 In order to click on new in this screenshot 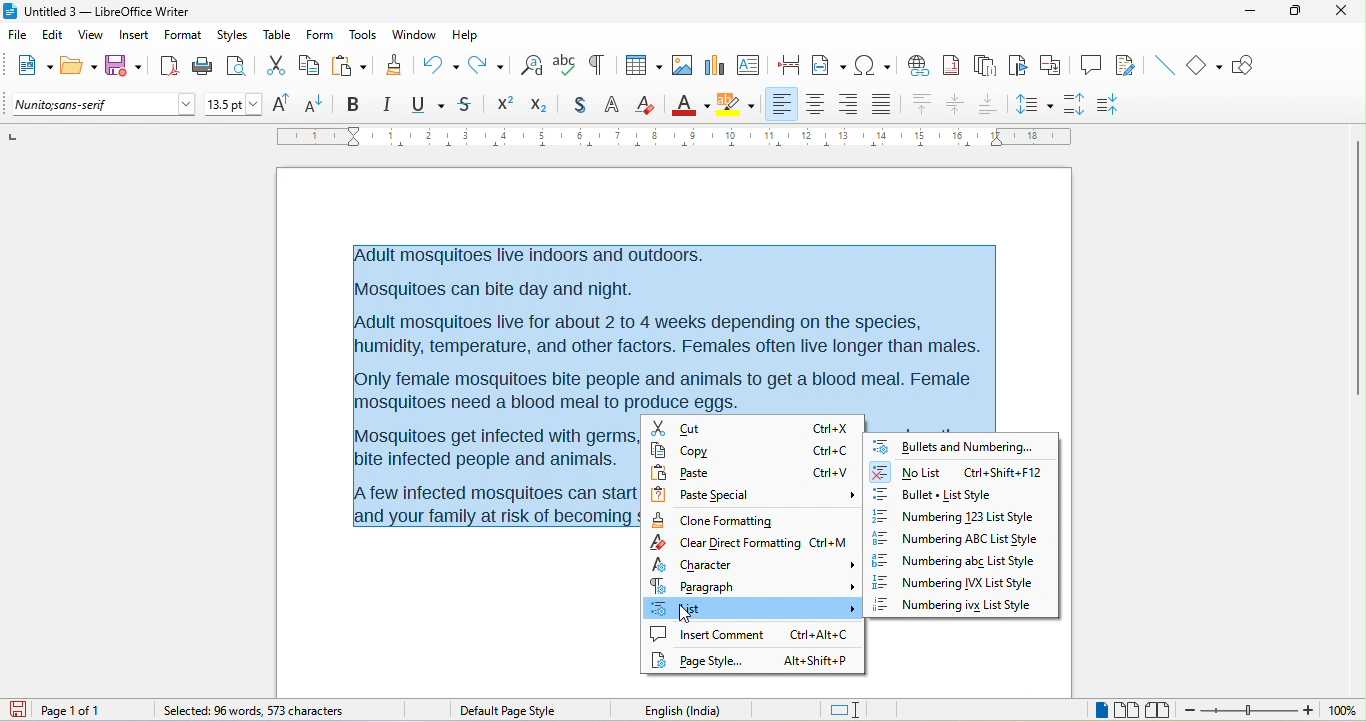, I will do `click(30, 67)`.